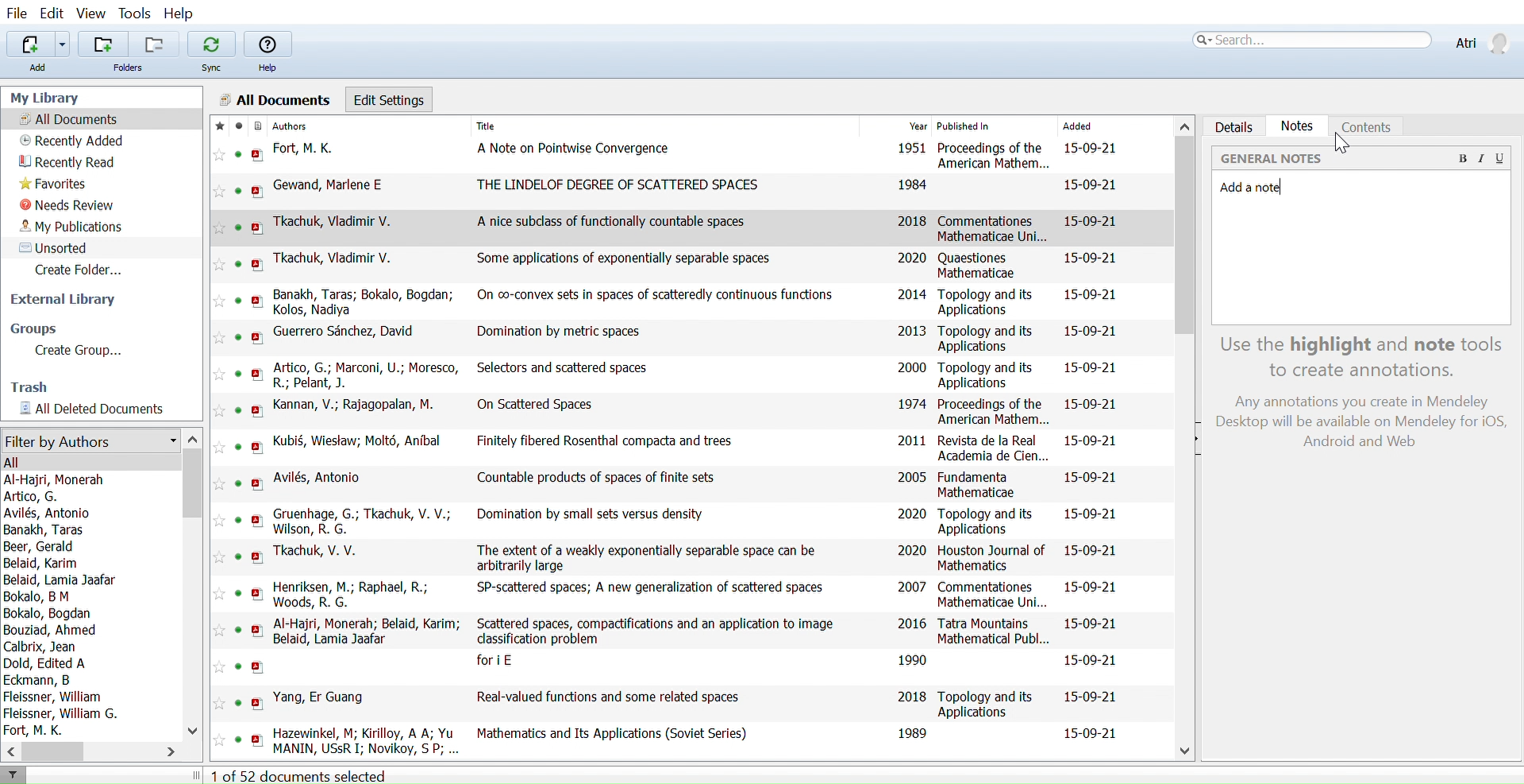  Describe the element at coordinates (43, 564) in the screenshot. I see `Belaid, Karim` at that location.